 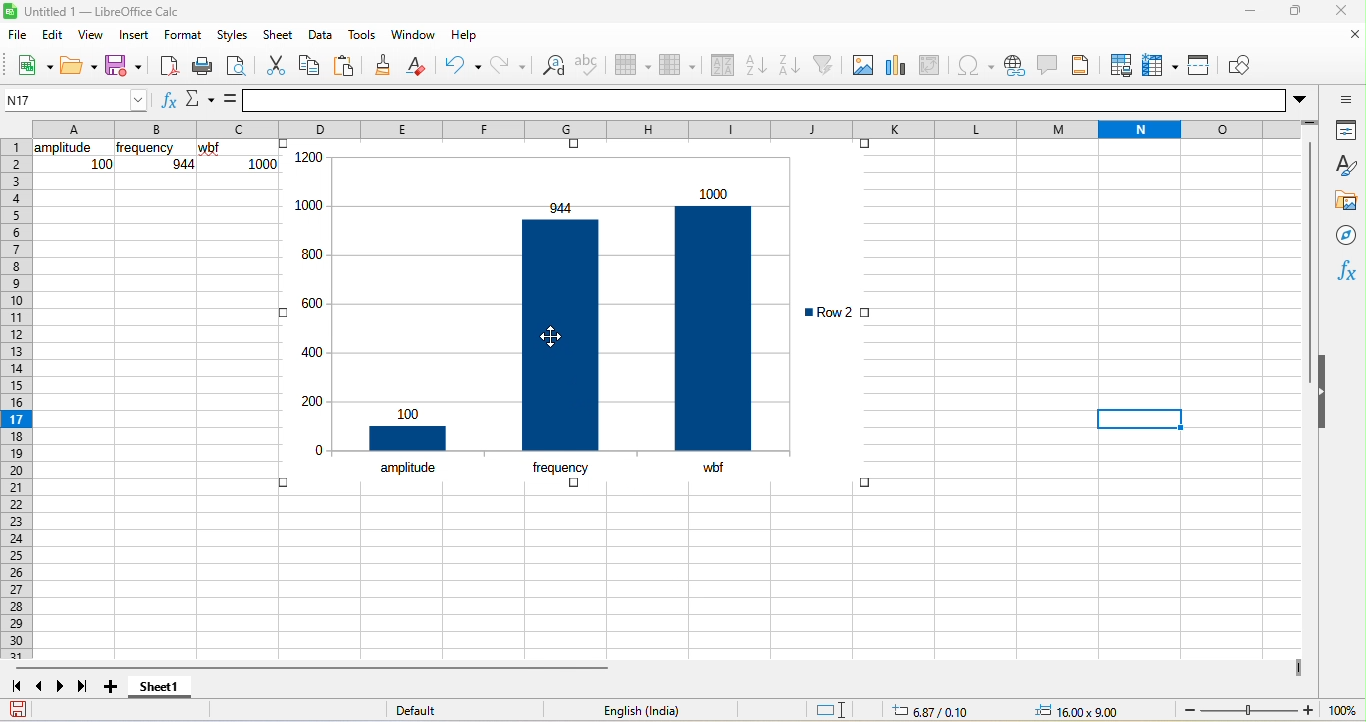 What do you see at coordinates (278, 35) in the screenshot?
I see `sheet` at bounding box center [278, 35].